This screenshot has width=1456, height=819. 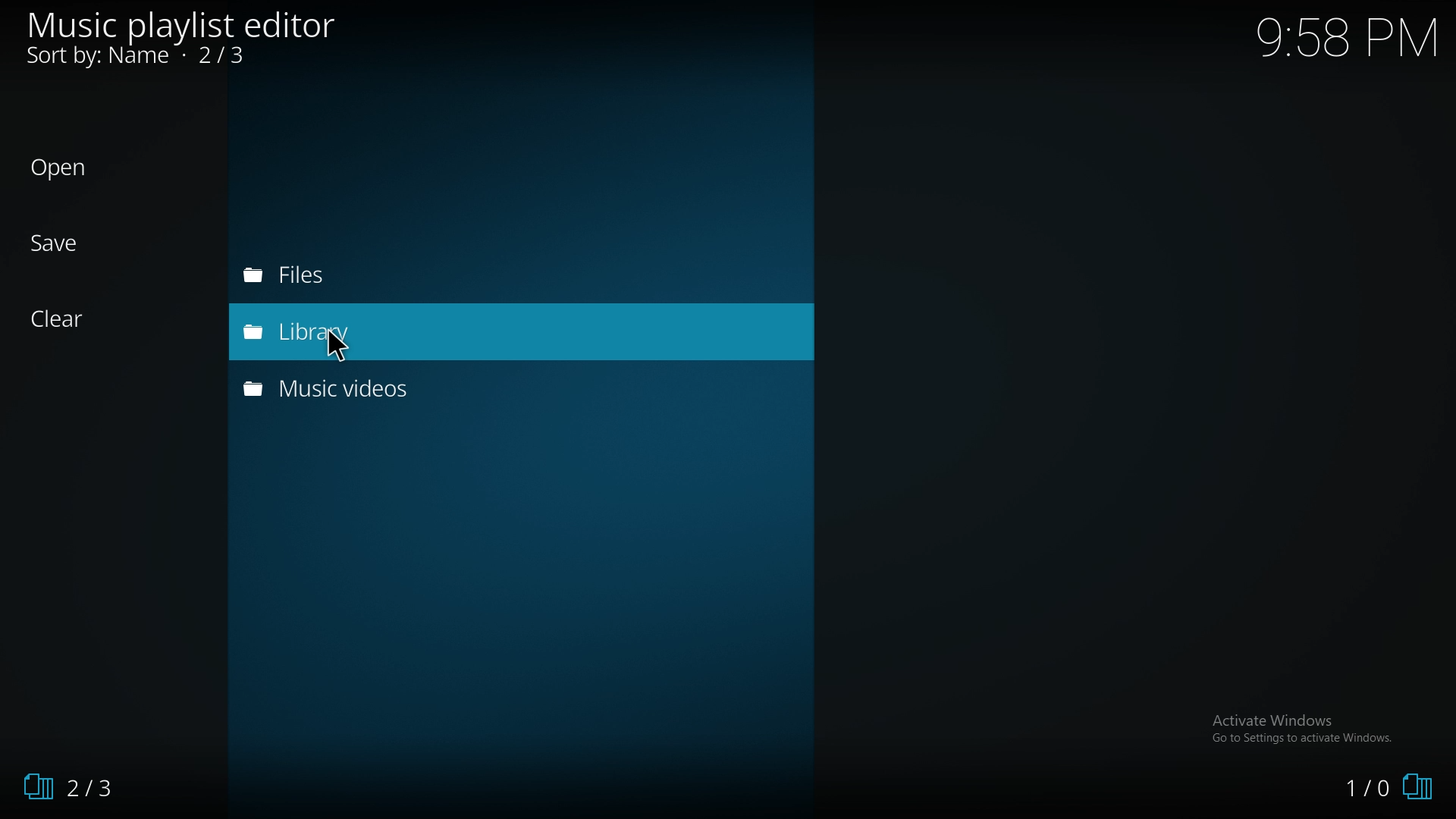 What do you see at coordinates (375, 278) in the screenshot?
I see `files` at bounding box center [375, 278].